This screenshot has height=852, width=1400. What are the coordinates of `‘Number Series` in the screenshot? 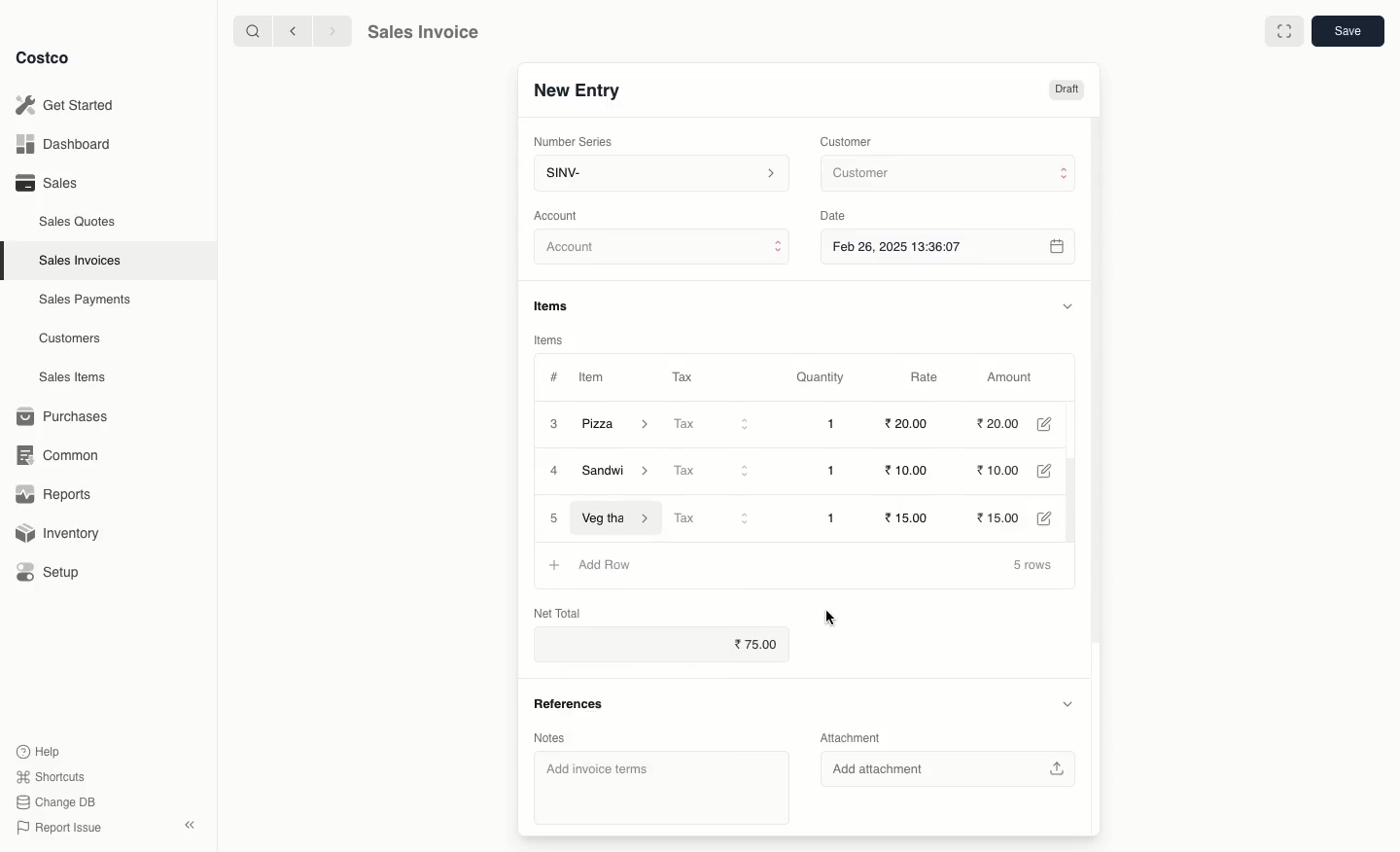 It's located at (570, 142).